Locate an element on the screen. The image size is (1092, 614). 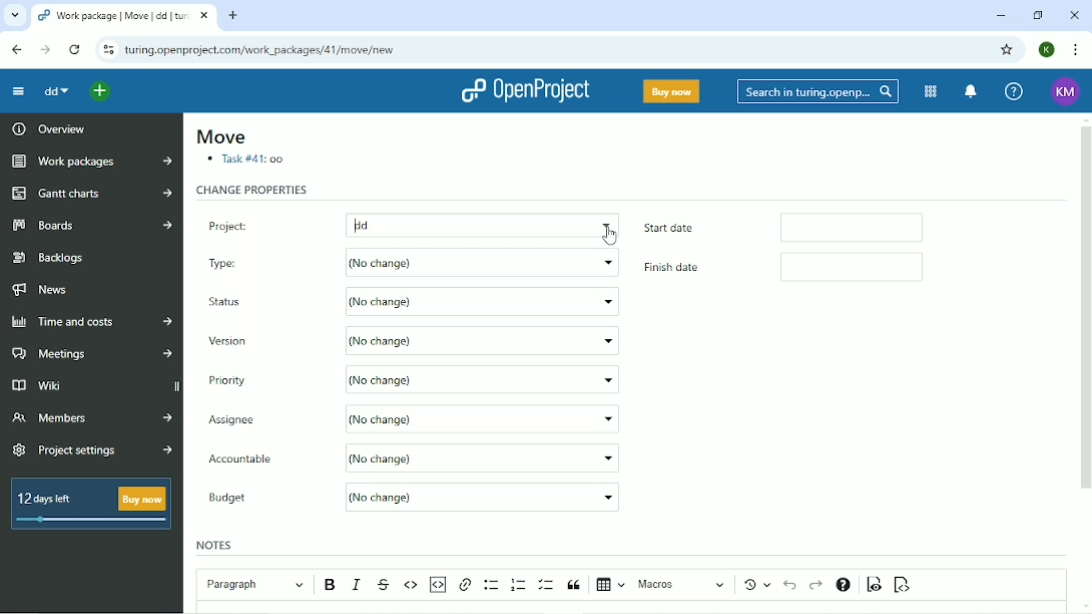
News is located at coordinates (49, 289).